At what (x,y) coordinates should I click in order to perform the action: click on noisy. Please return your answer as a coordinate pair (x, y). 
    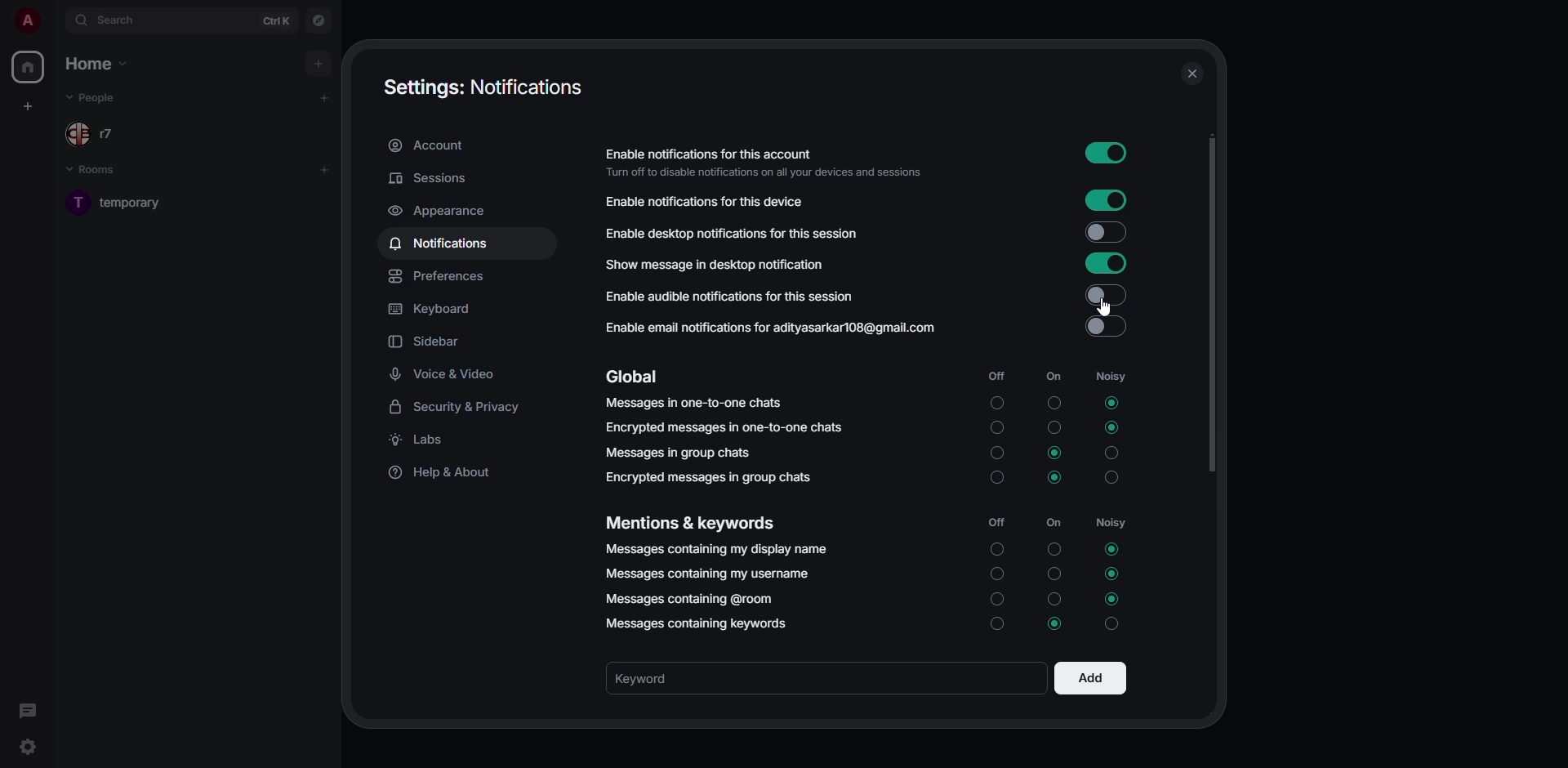
    Looking at the image, I should click on (1111, 453).